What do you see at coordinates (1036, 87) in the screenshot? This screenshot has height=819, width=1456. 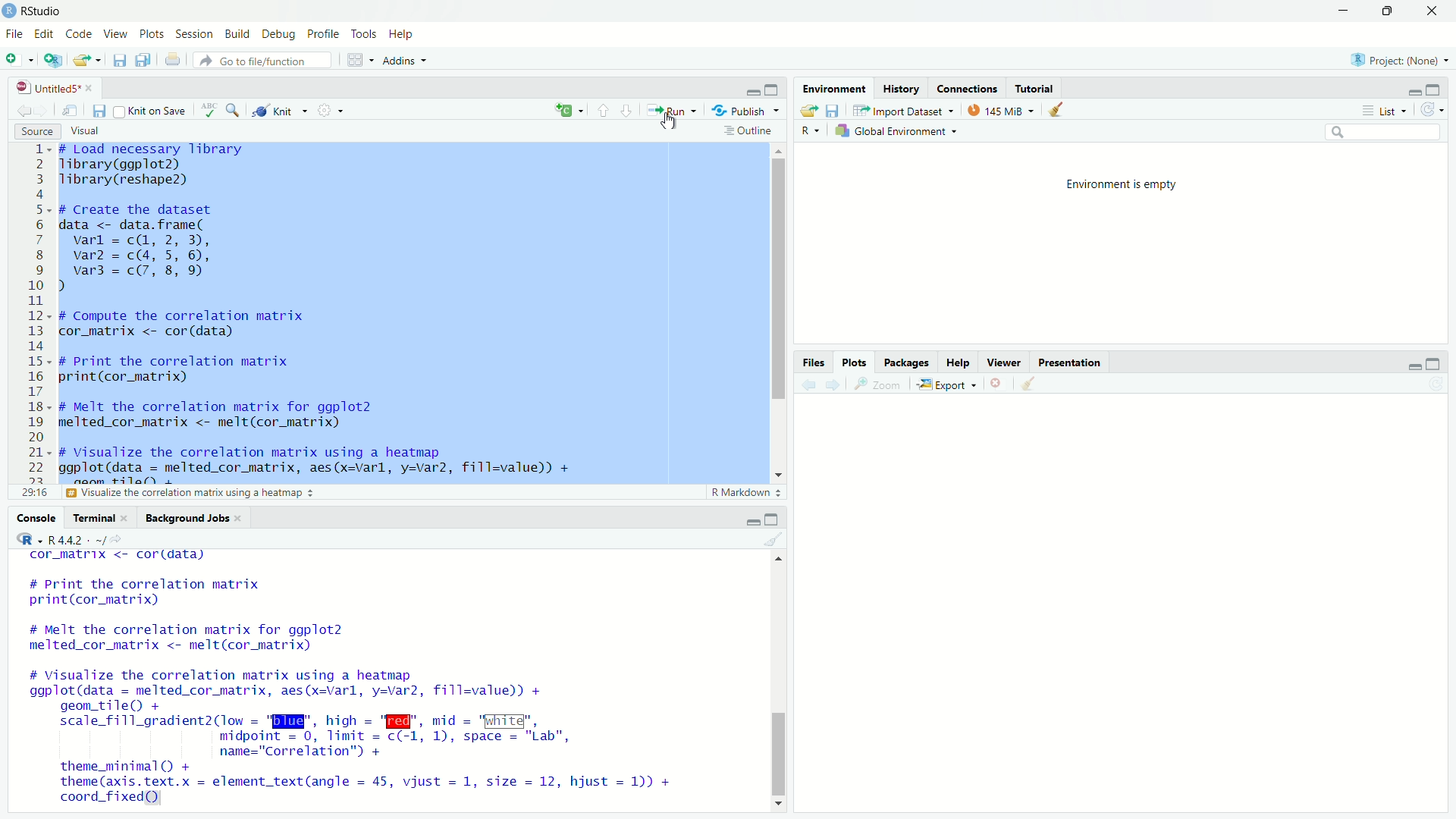 I see `tutorial` at bounding box center [1036, 87].